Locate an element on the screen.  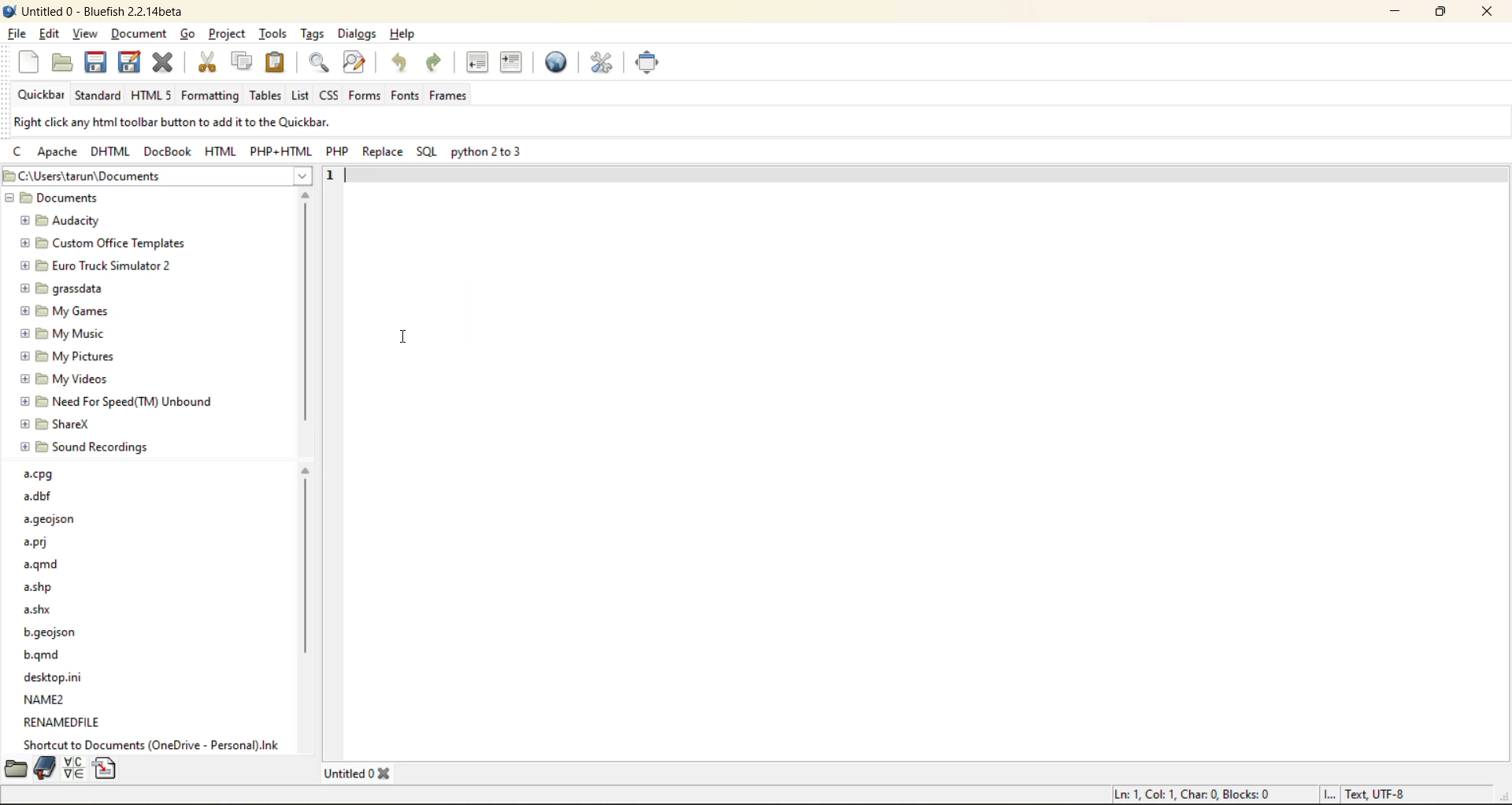
bookmarks is located at coordinates (46, 768).